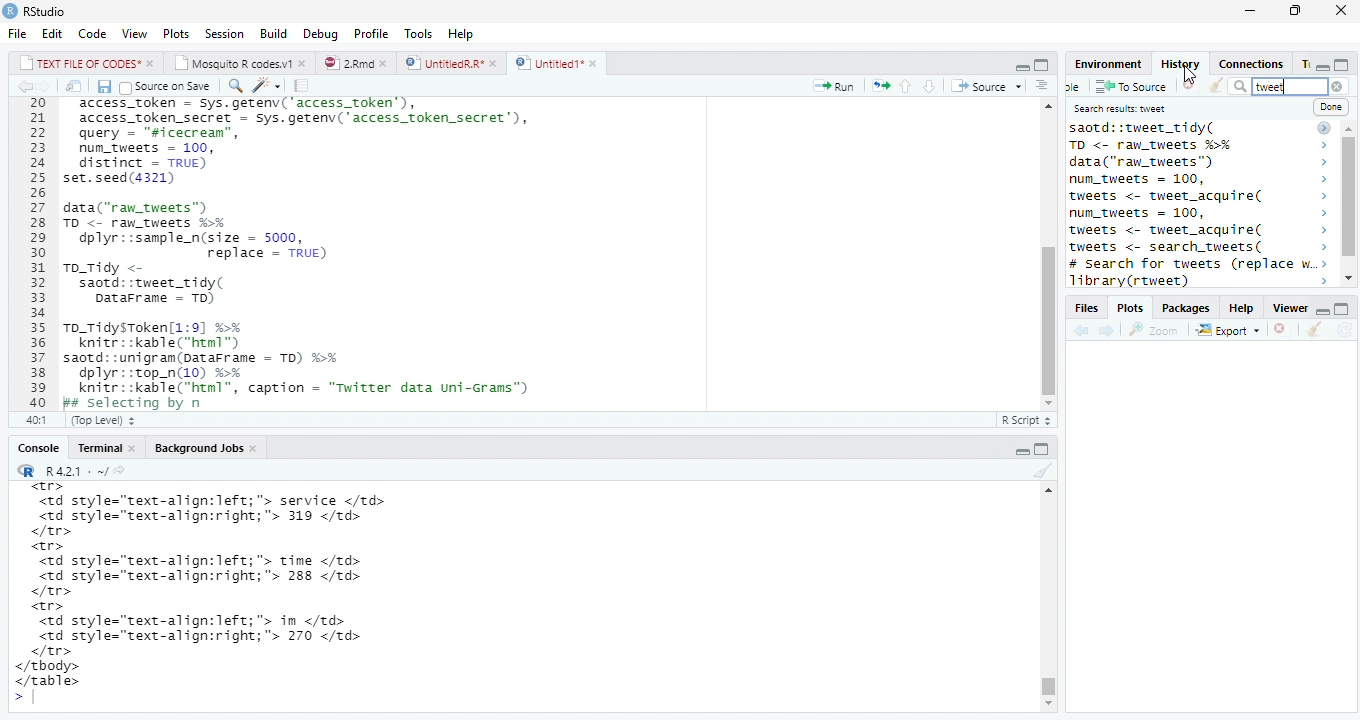 The image size is (1360, 720). What do you see at coordinates (833, 85) in the screenshot?
I see `Run` at bounding box center [833, 85].